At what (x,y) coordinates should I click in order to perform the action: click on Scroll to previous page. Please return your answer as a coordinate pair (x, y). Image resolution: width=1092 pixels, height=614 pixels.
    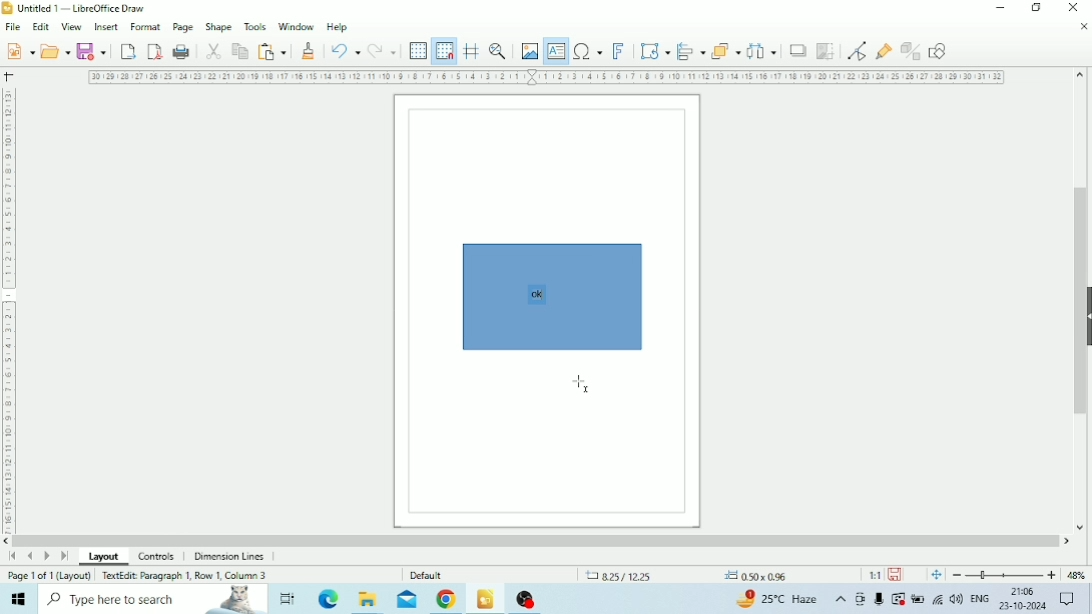
    Looking at the image, I should click on (31, 556).